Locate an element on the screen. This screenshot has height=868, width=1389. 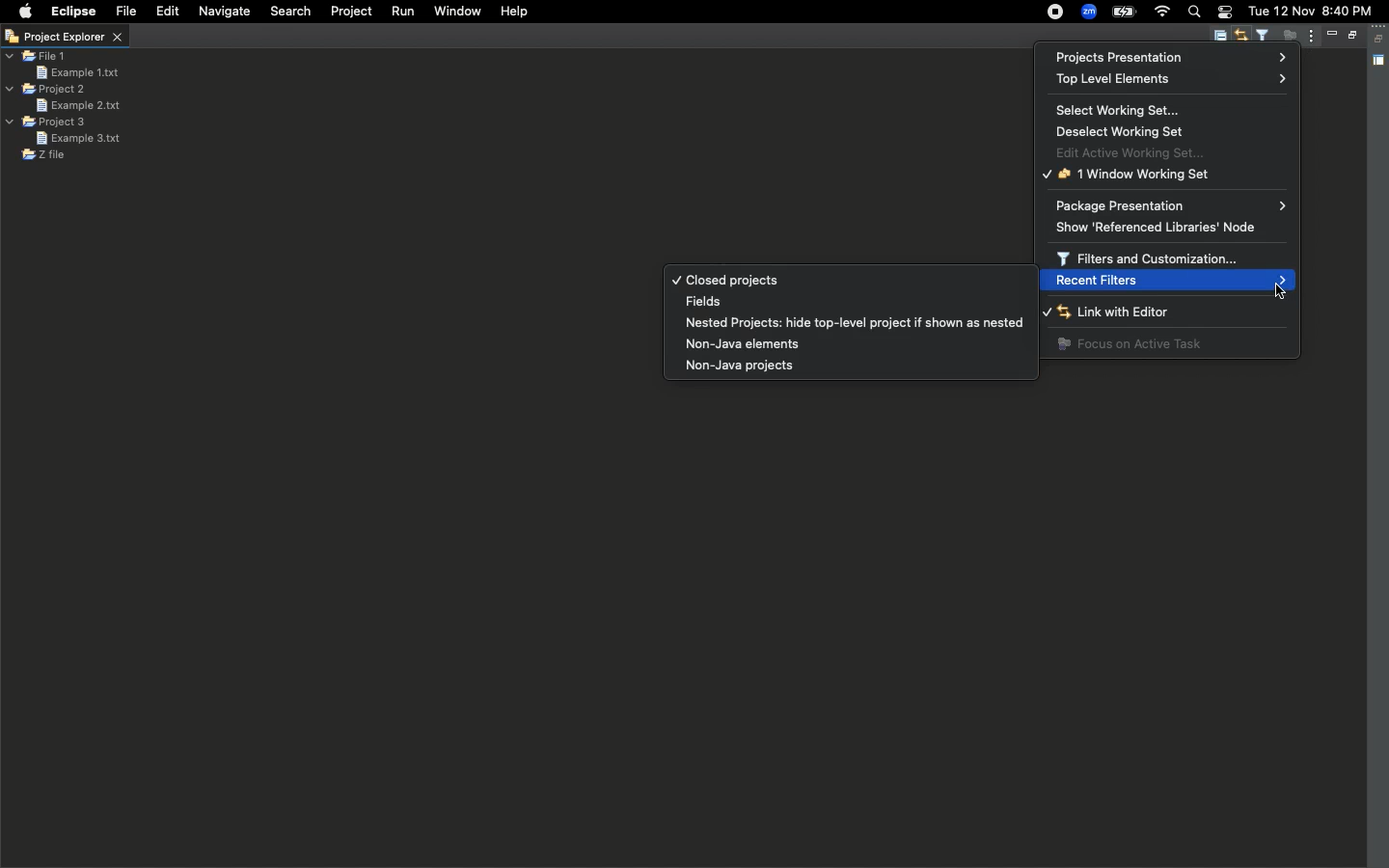
Minimize is located at coordinates (1331, 34).